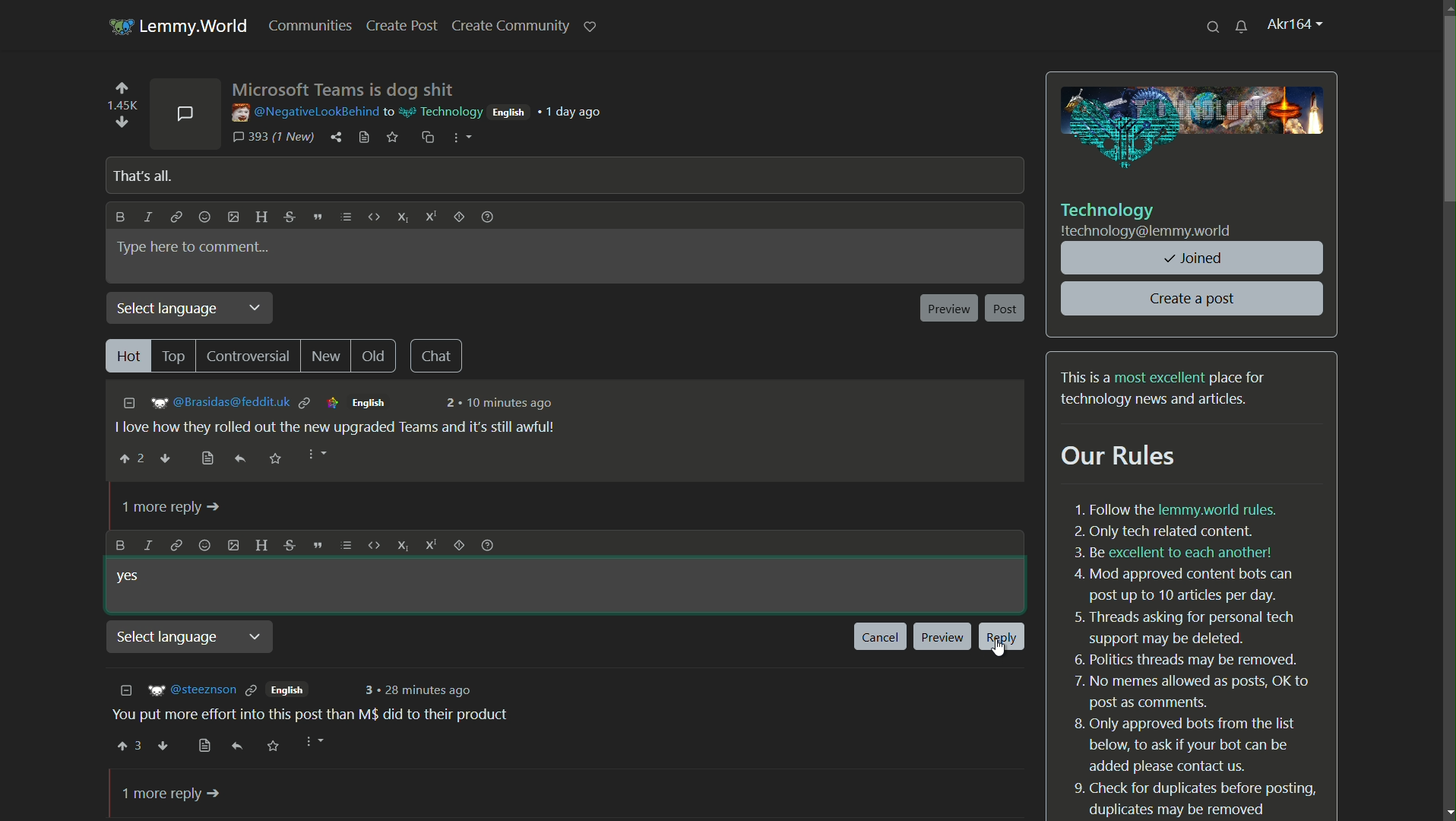 This screenshot has width=1456, height=821. I want to click on upvote, so click(131, 458).